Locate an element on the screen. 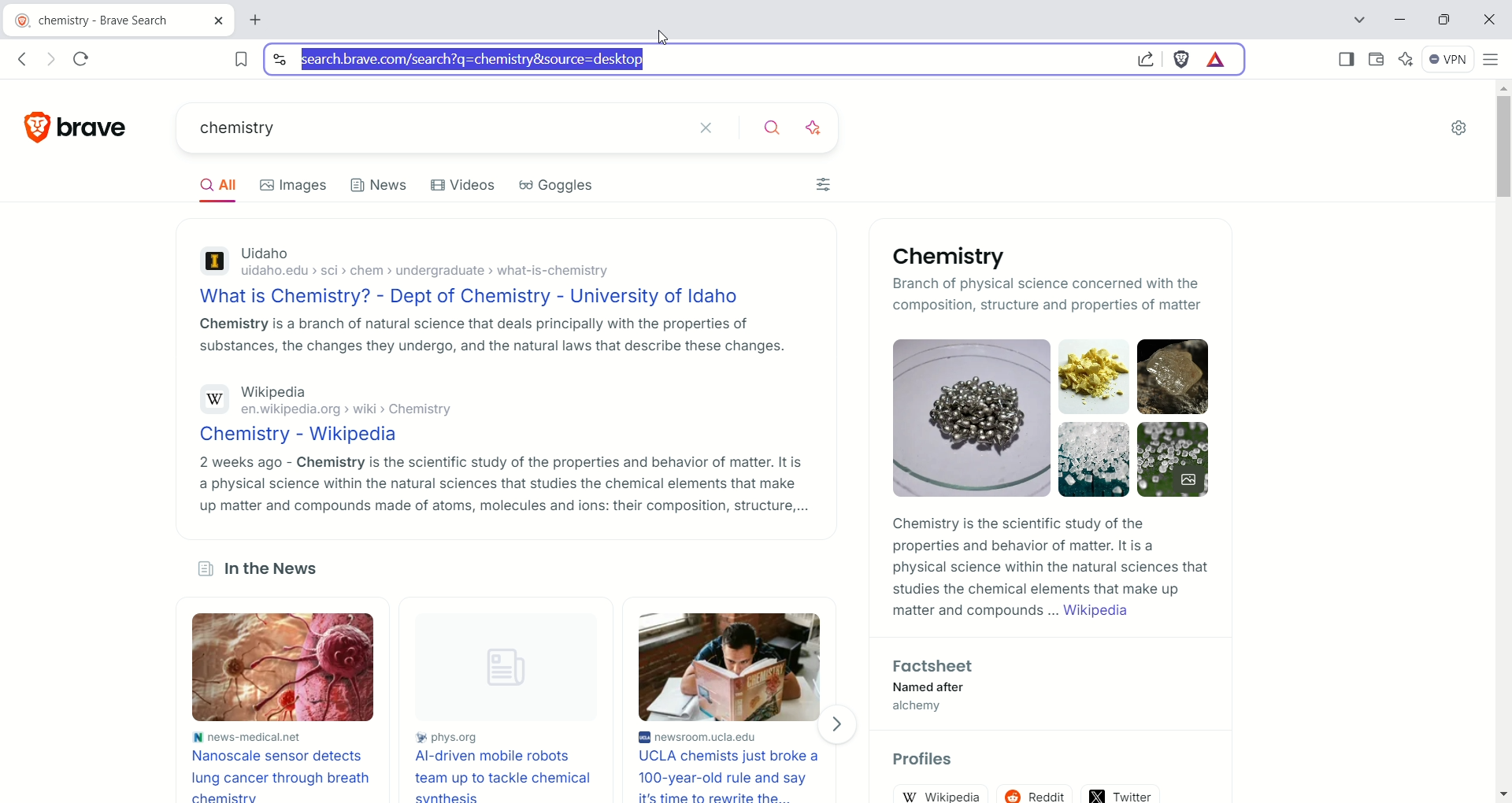 This screenshot has width=1512, height=803. newsroom.ucla.edu is located at coordinates (736, 735).